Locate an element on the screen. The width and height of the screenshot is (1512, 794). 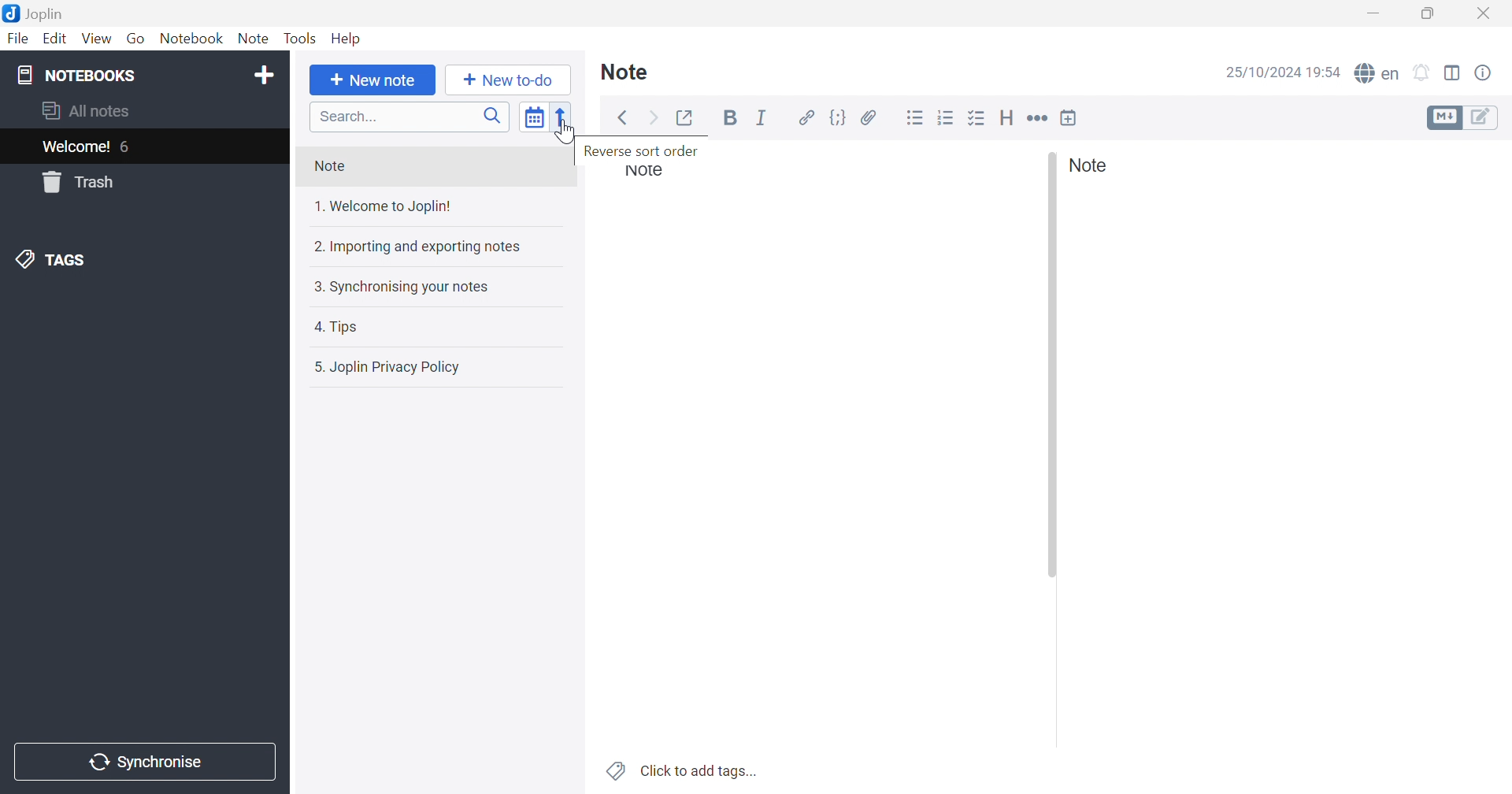
View is located at coordinates (96, 39).